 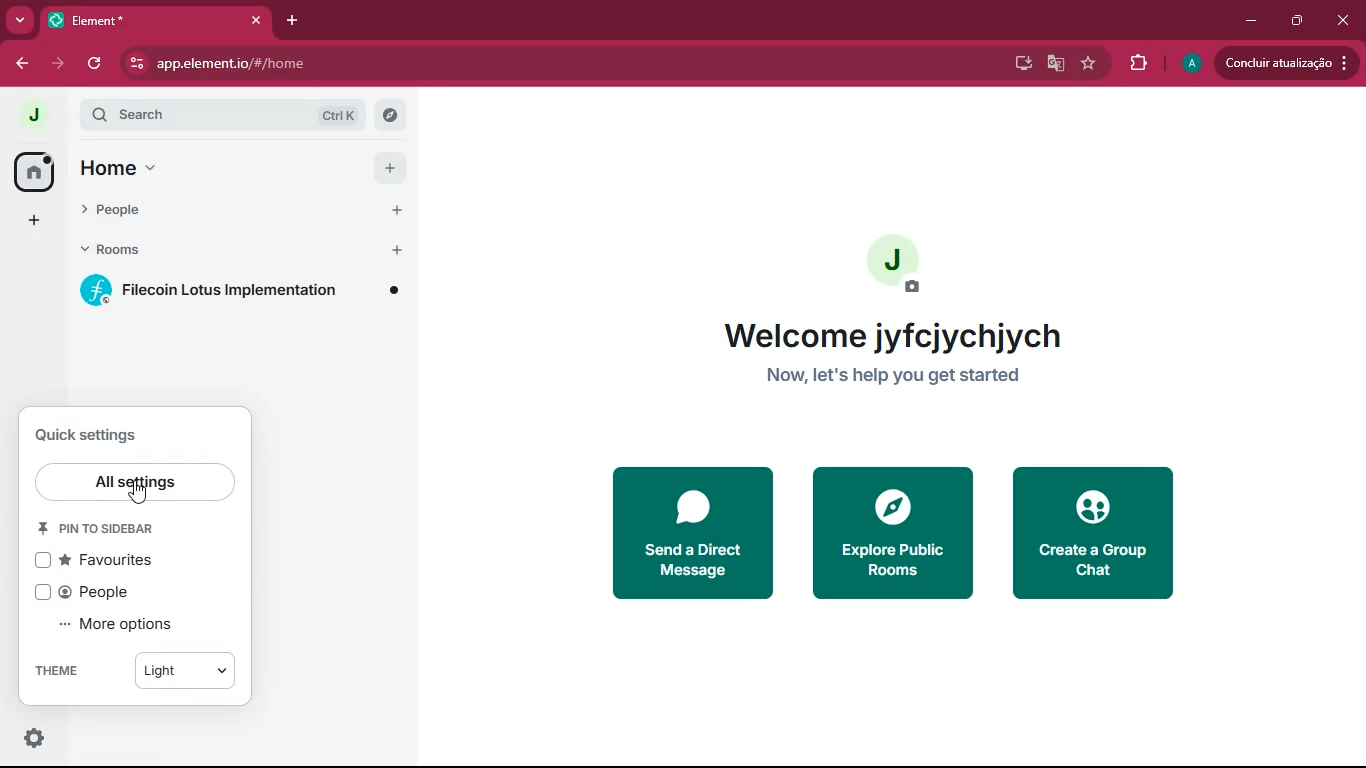 What do you see at coordinates (184, 670) in the screenshot?
I see `light` at bounding box center [184, 670].